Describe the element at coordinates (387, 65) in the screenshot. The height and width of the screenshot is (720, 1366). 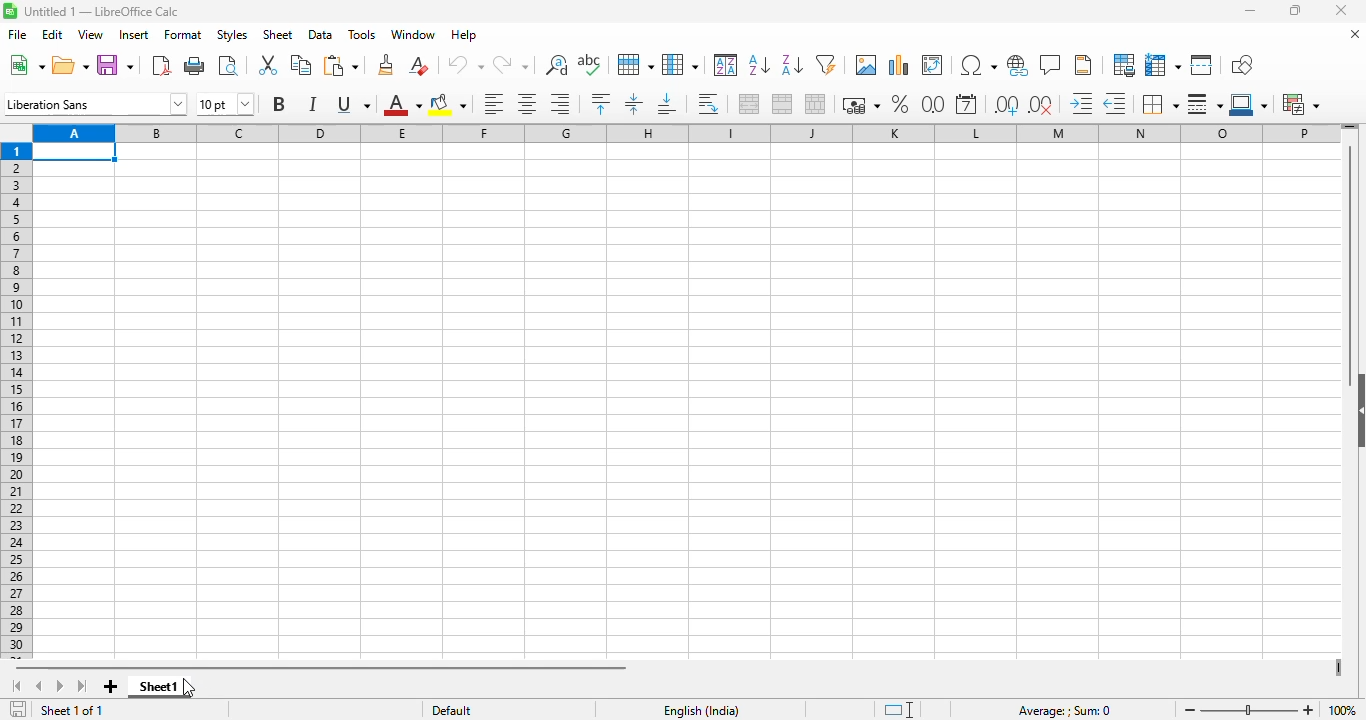
I see `clone formatting` at that location.